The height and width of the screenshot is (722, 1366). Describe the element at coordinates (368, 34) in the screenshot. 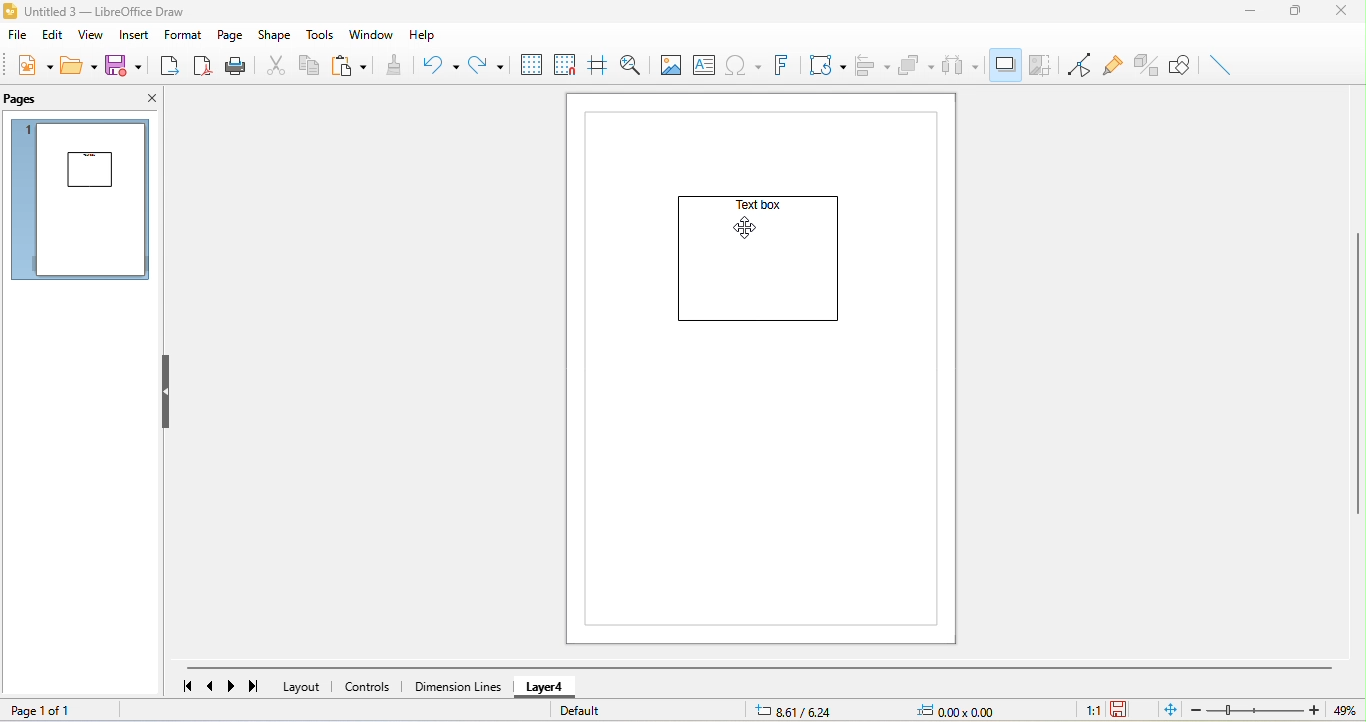

I see `window` at that location.